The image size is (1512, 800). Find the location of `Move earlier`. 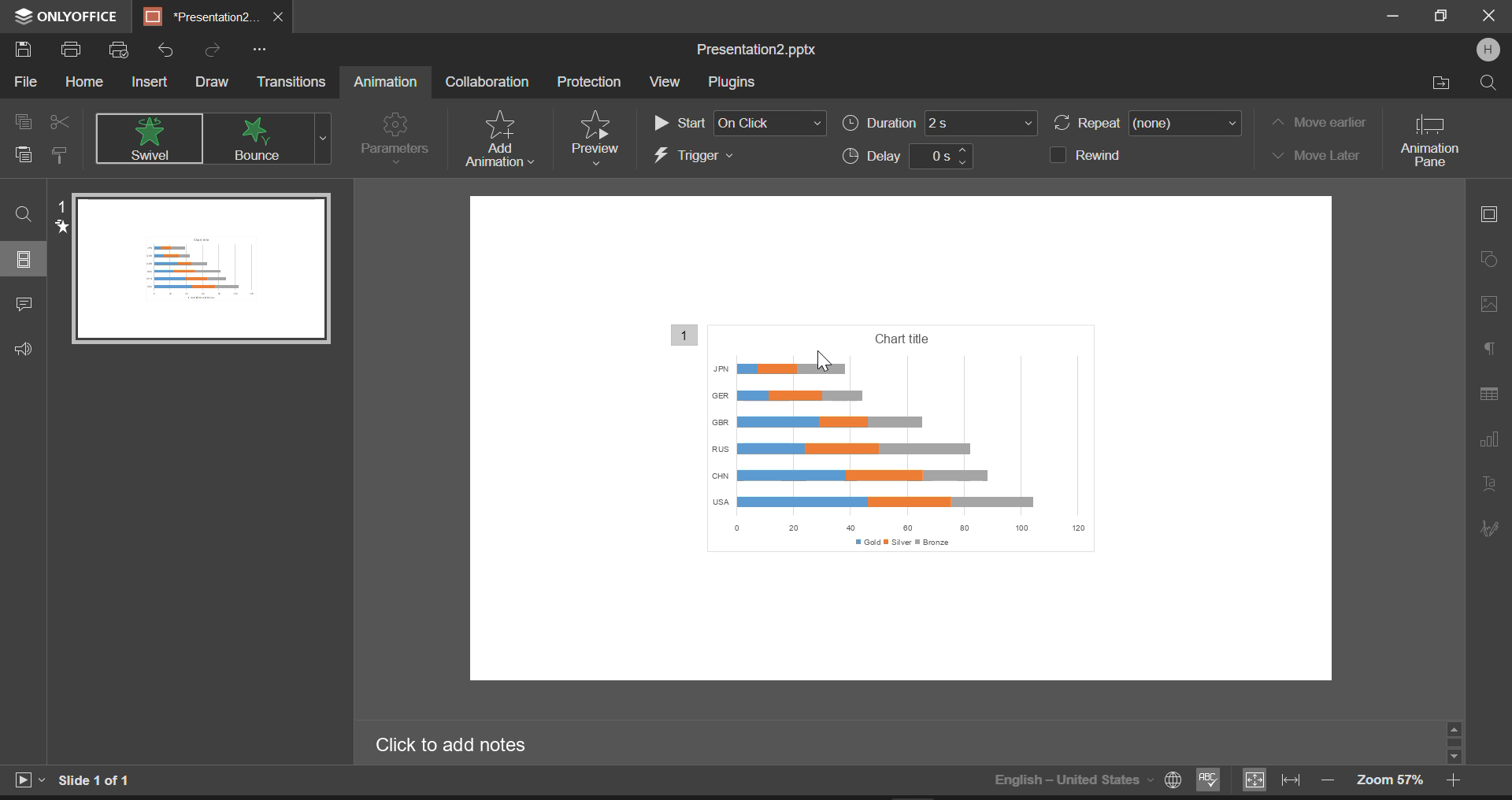

Move earlier is located at coordinates (1317, 122).